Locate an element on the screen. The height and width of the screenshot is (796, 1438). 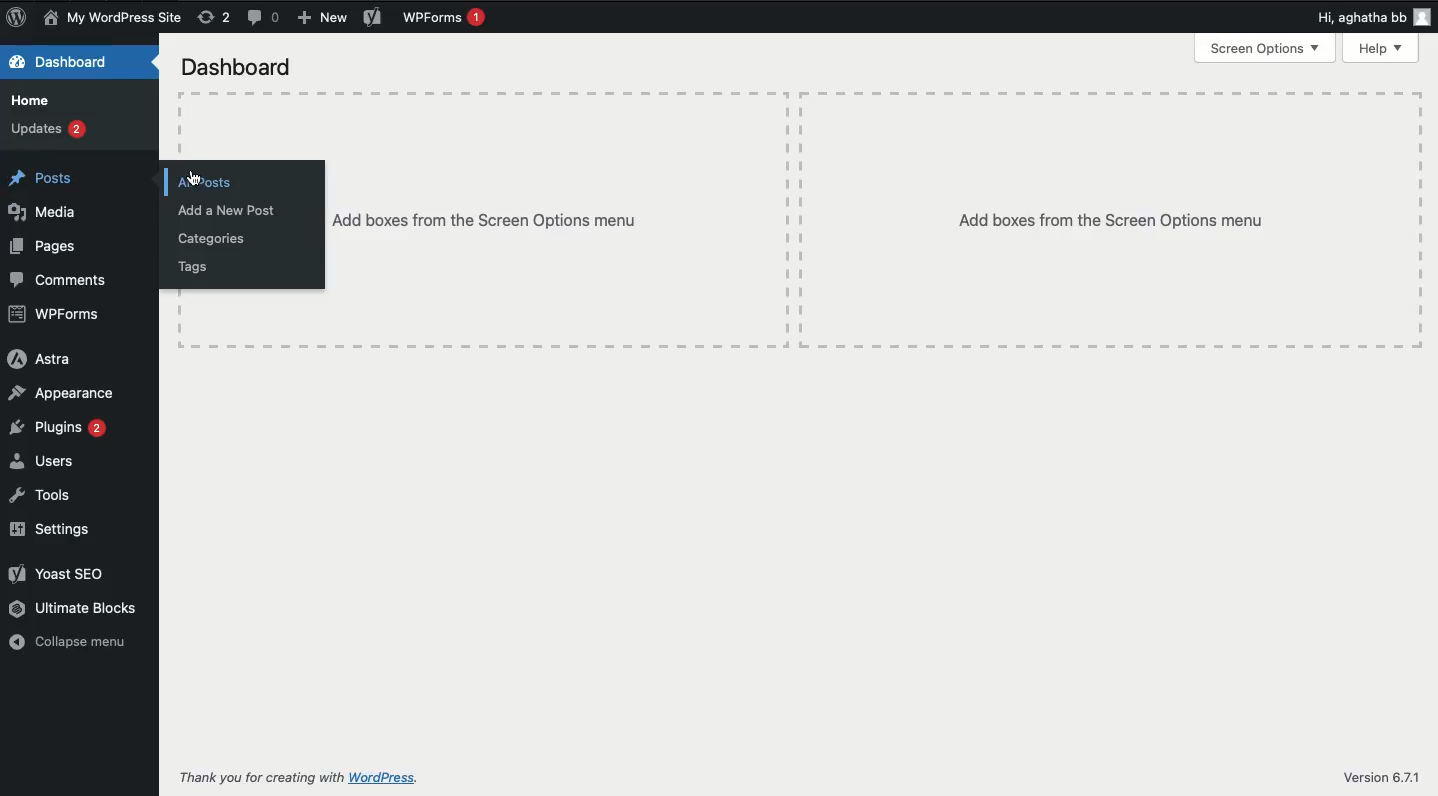
Help is located at coordinates (1381, 49).